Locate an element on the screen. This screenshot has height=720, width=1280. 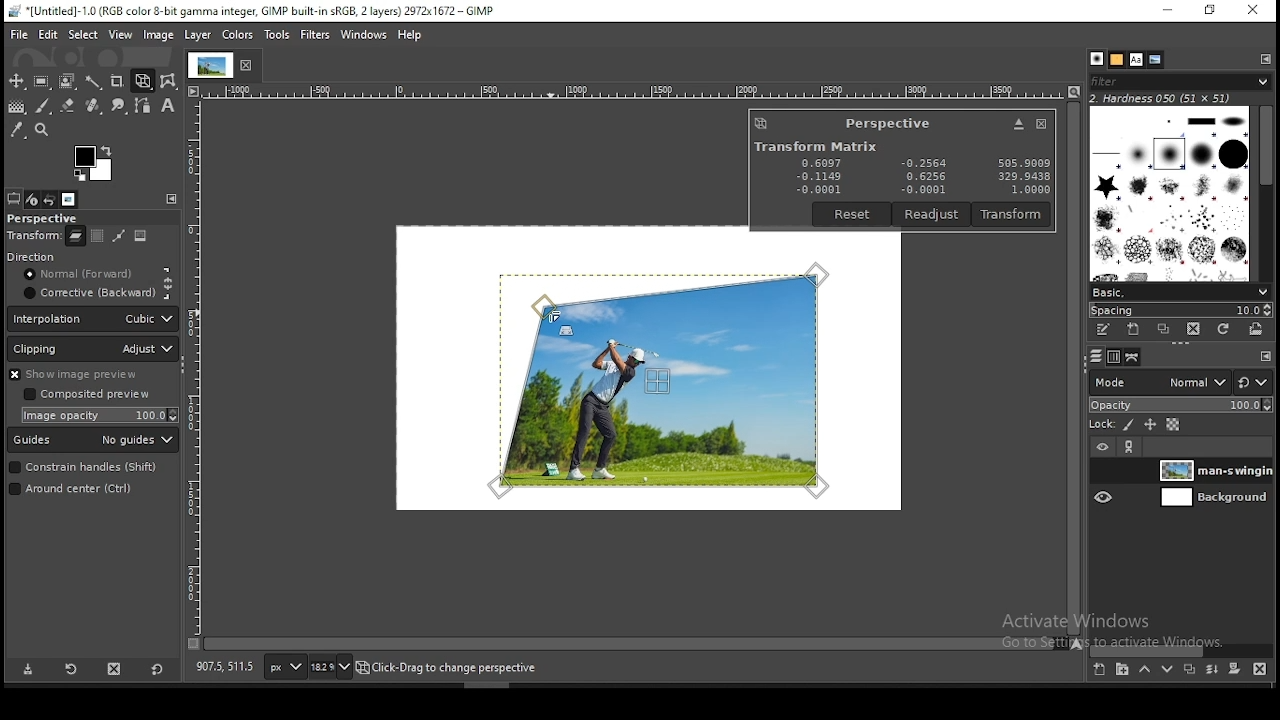
move layer is located at coordinates (97, 236).